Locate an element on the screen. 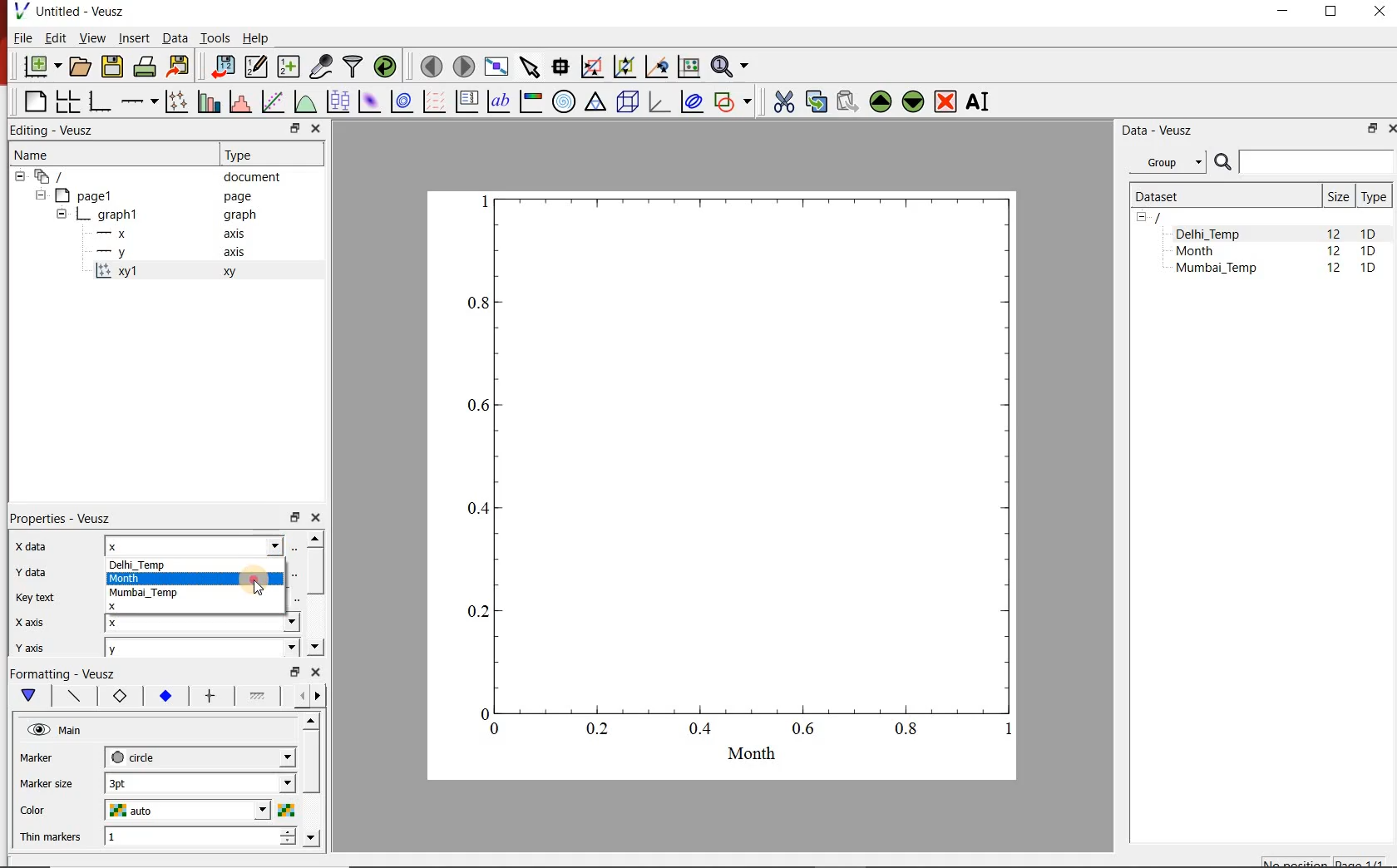 The width and height of the screenshot is (1397, 868). 12 is located at coordinates (1333, 233).